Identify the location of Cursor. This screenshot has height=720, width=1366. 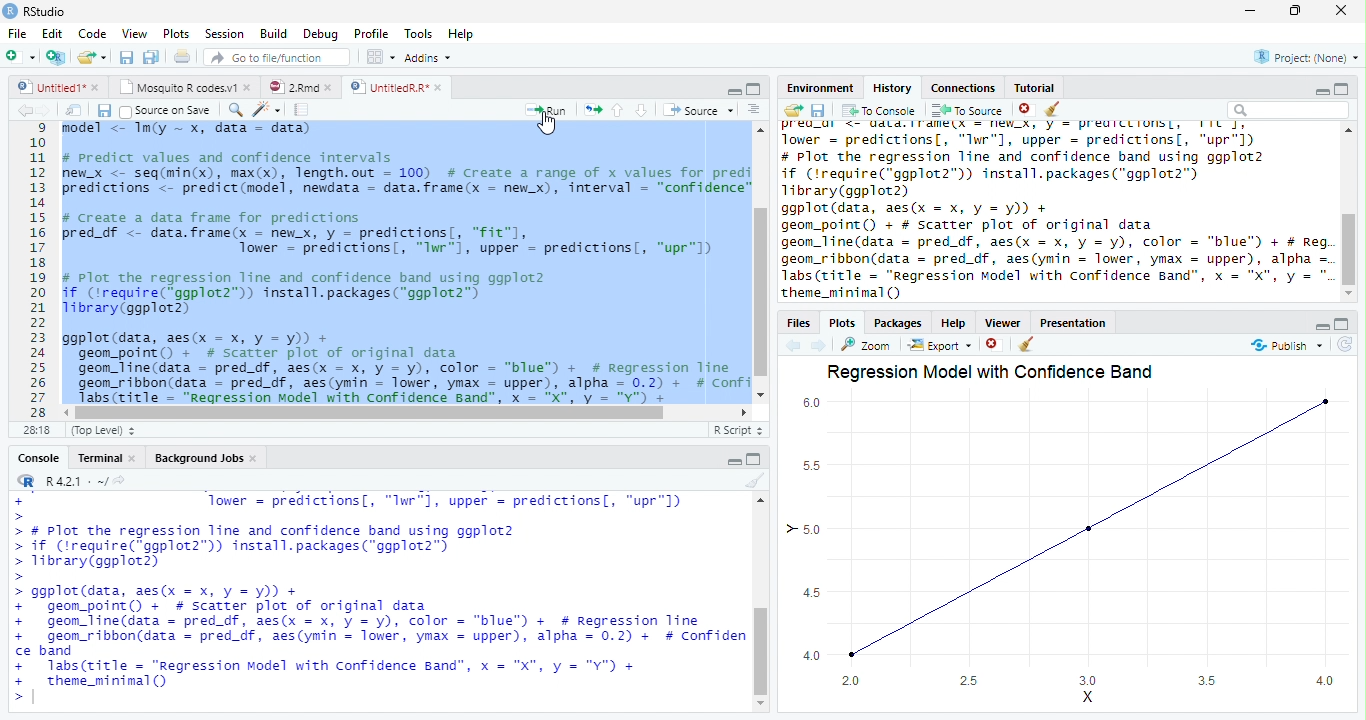
(551, 129).